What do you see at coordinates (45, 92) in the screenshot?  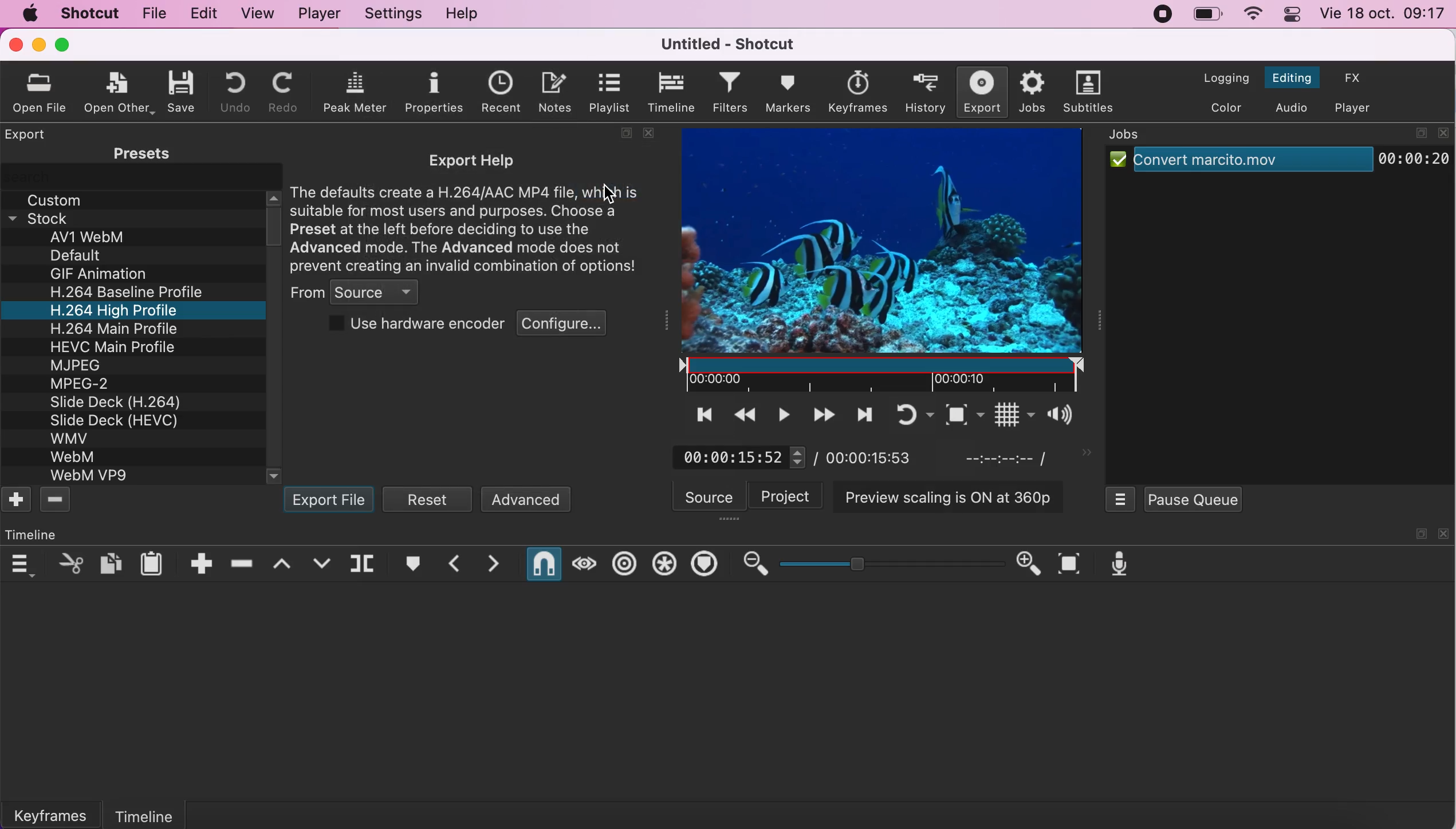 I see `oprn file` at bounding box center [45, 92].